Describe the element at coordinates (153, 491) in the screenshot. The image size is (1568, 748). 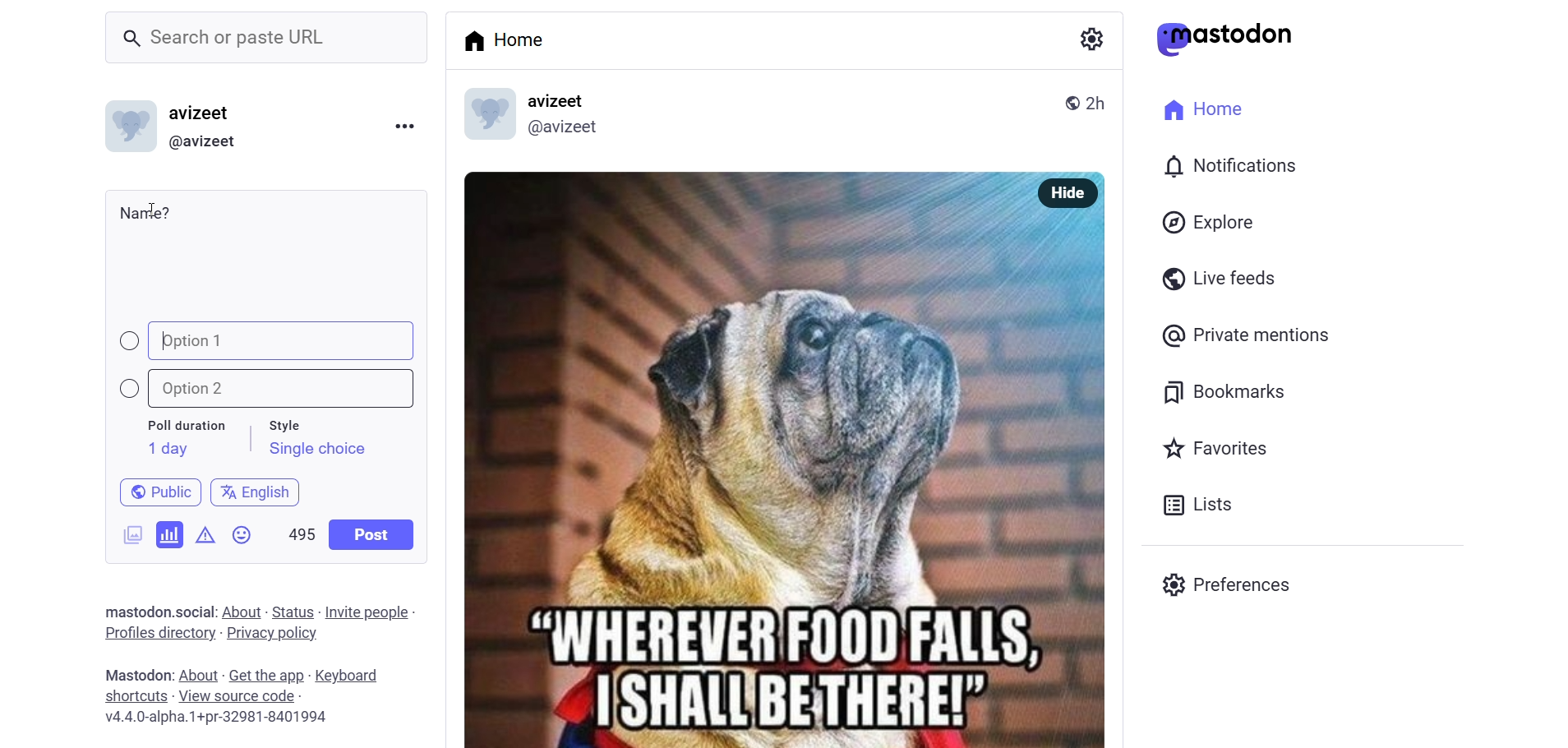
I see `public` at that location.